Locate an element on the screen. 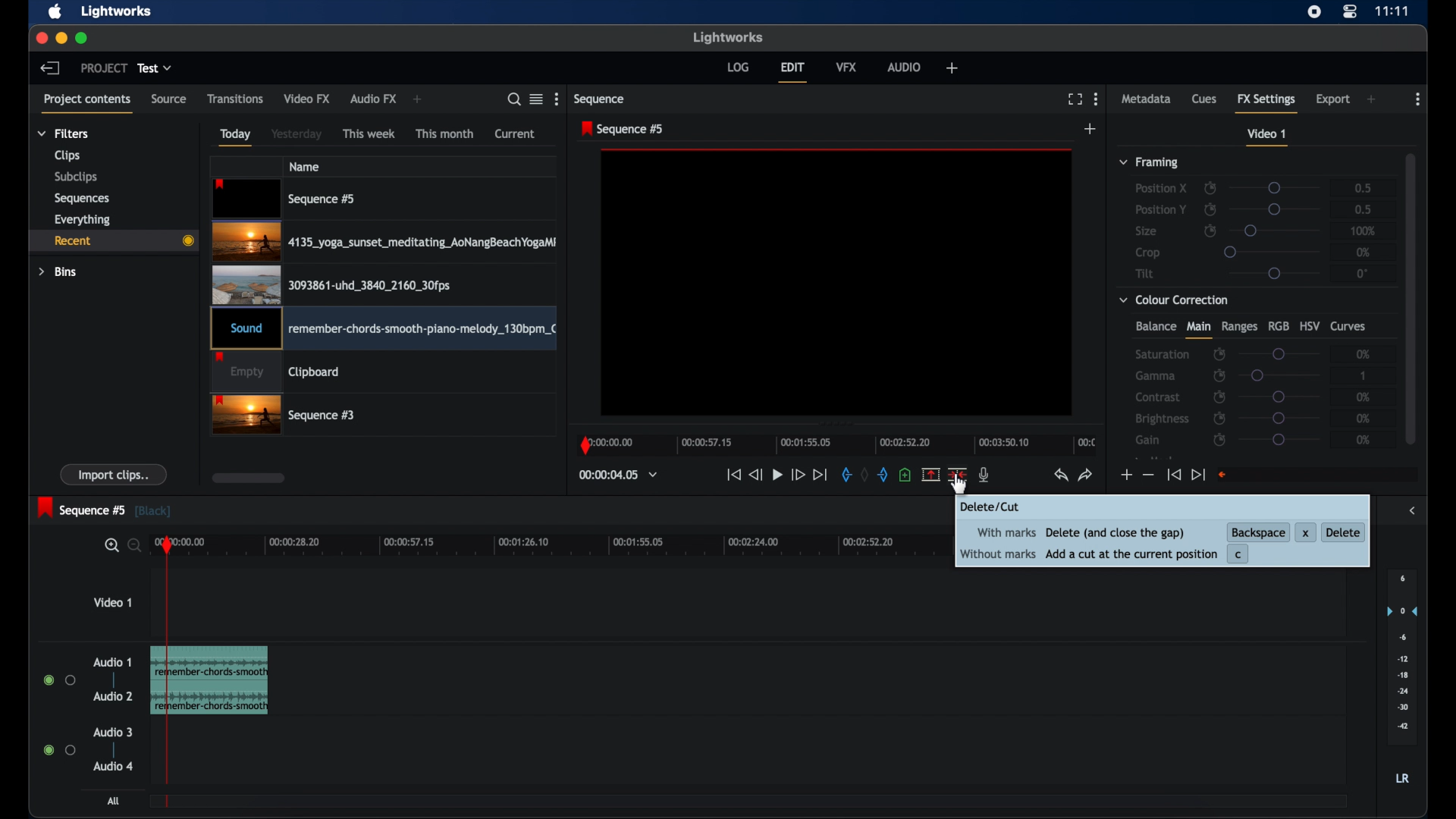  radio buttons is located at coordinates (59, 749).